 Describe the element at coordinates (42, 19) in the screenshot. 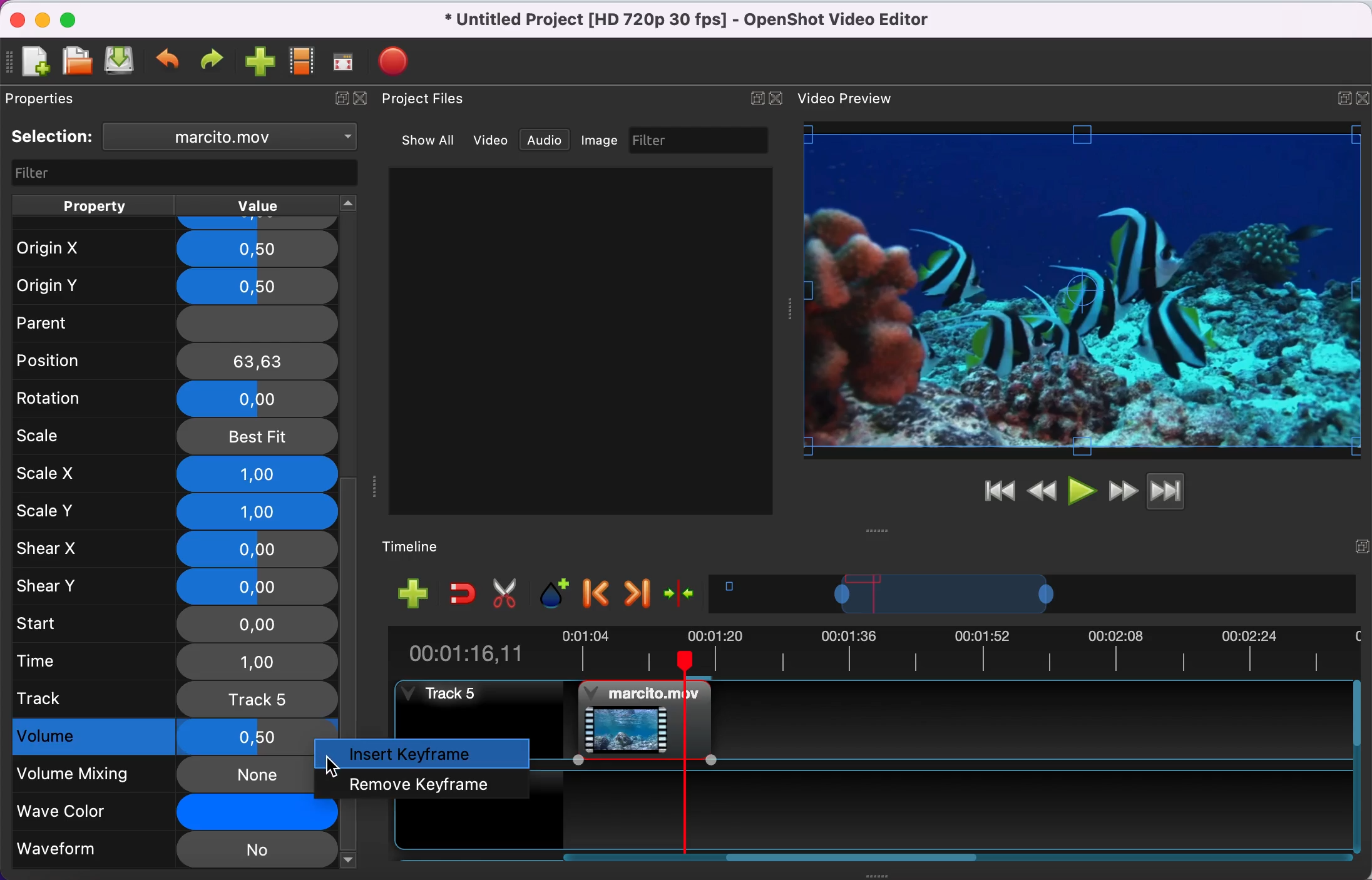

I see `minimize` at that location.